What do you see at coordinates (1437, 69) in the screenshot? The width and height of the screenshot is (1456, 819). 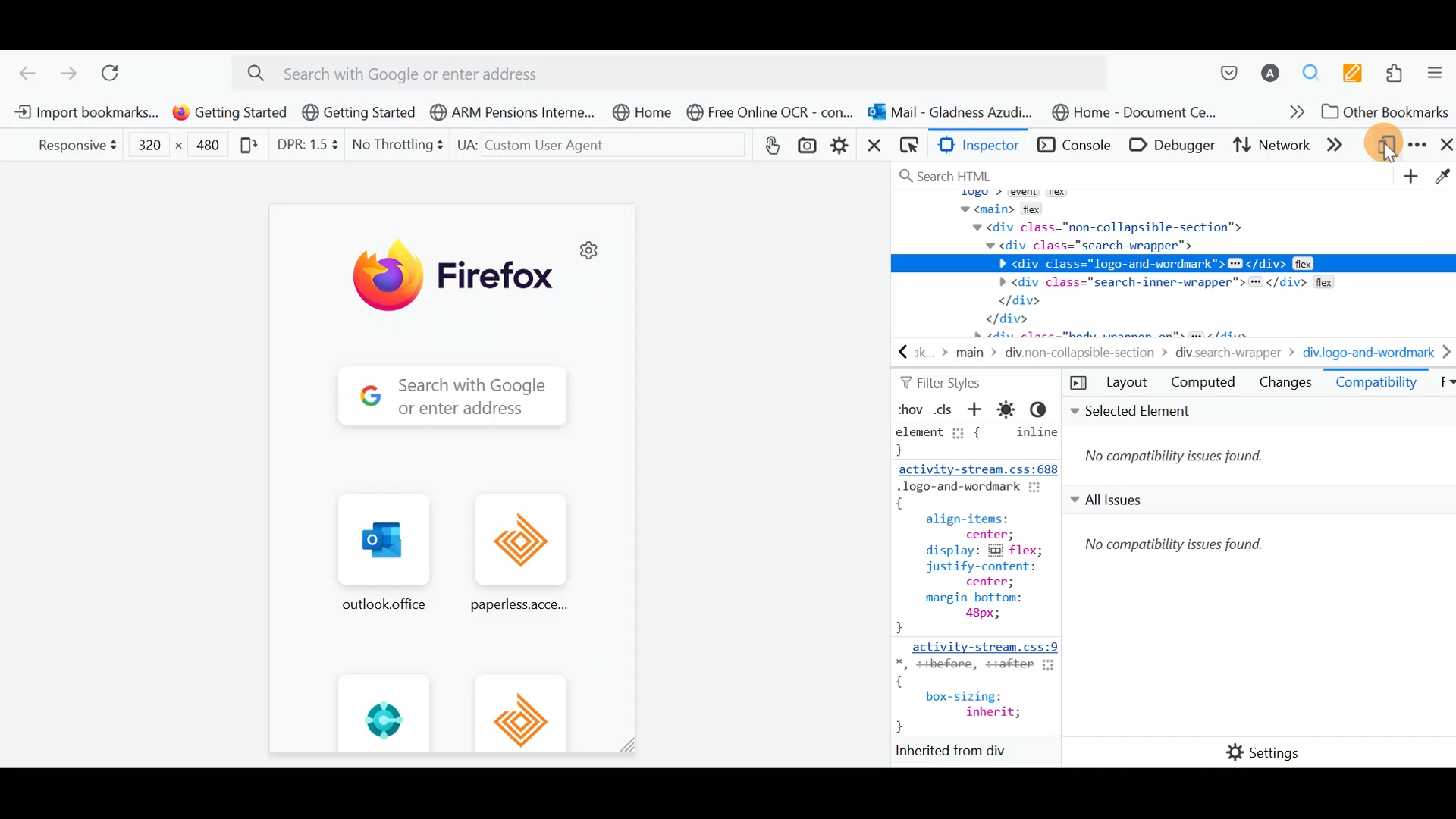 I see `Open application menu` at bounding box center [1437, 69].